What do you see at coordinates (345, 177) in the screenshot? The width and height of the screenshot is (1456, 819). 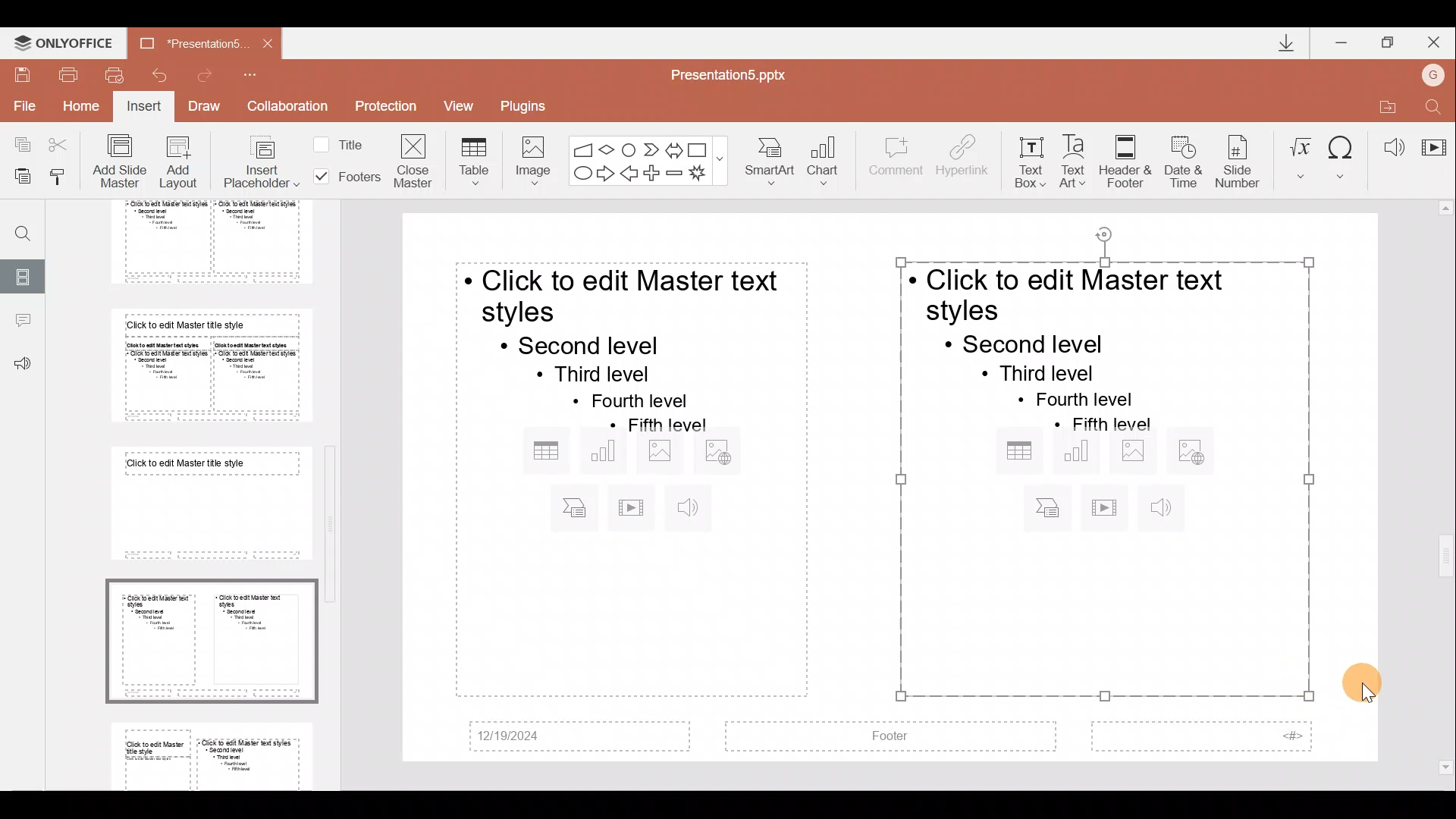 I see `Footers` at bounding box center [345, 177].